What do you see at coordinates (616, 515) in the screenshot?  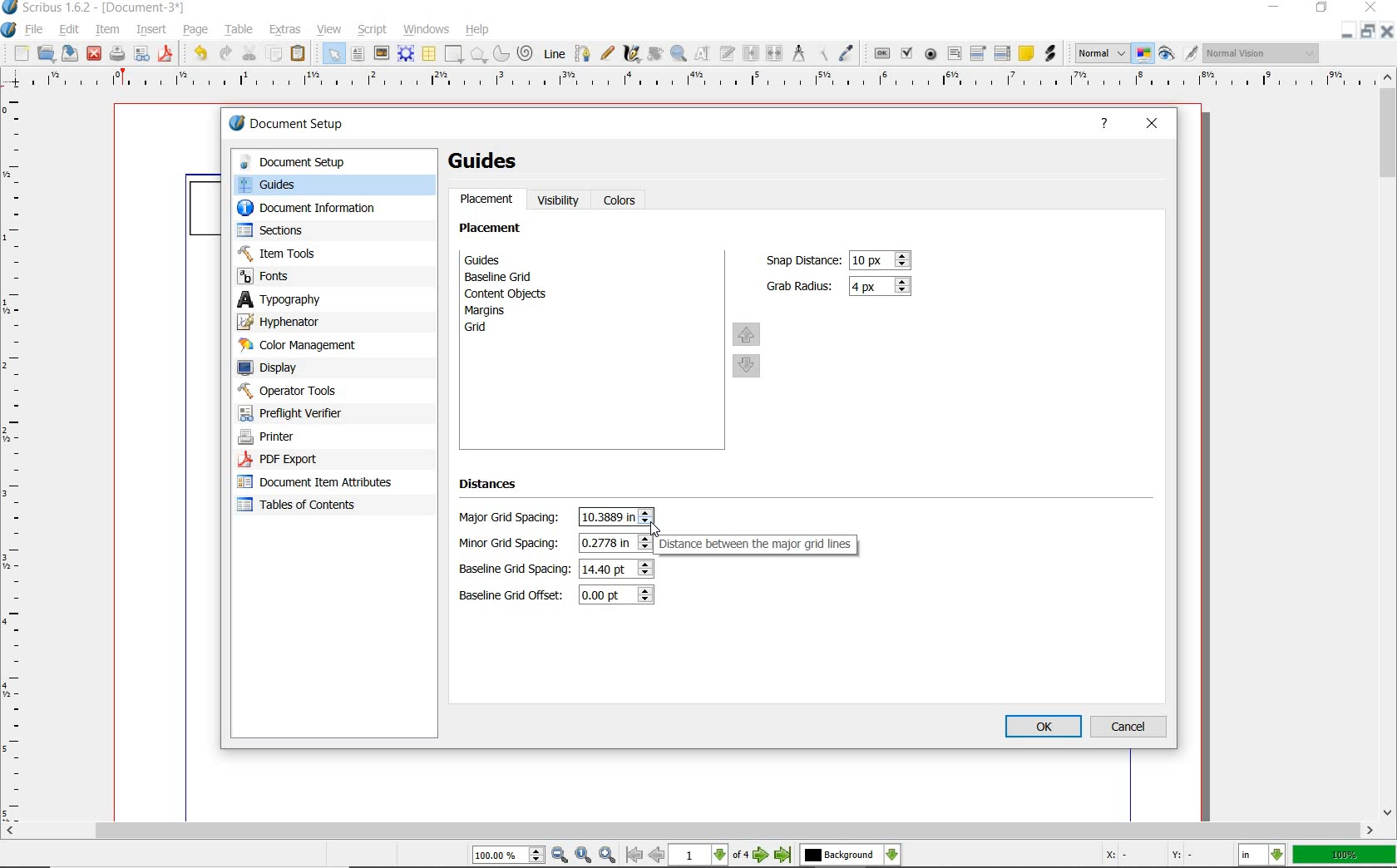 I see `major grid spacing` at bounding box center [616, 515].